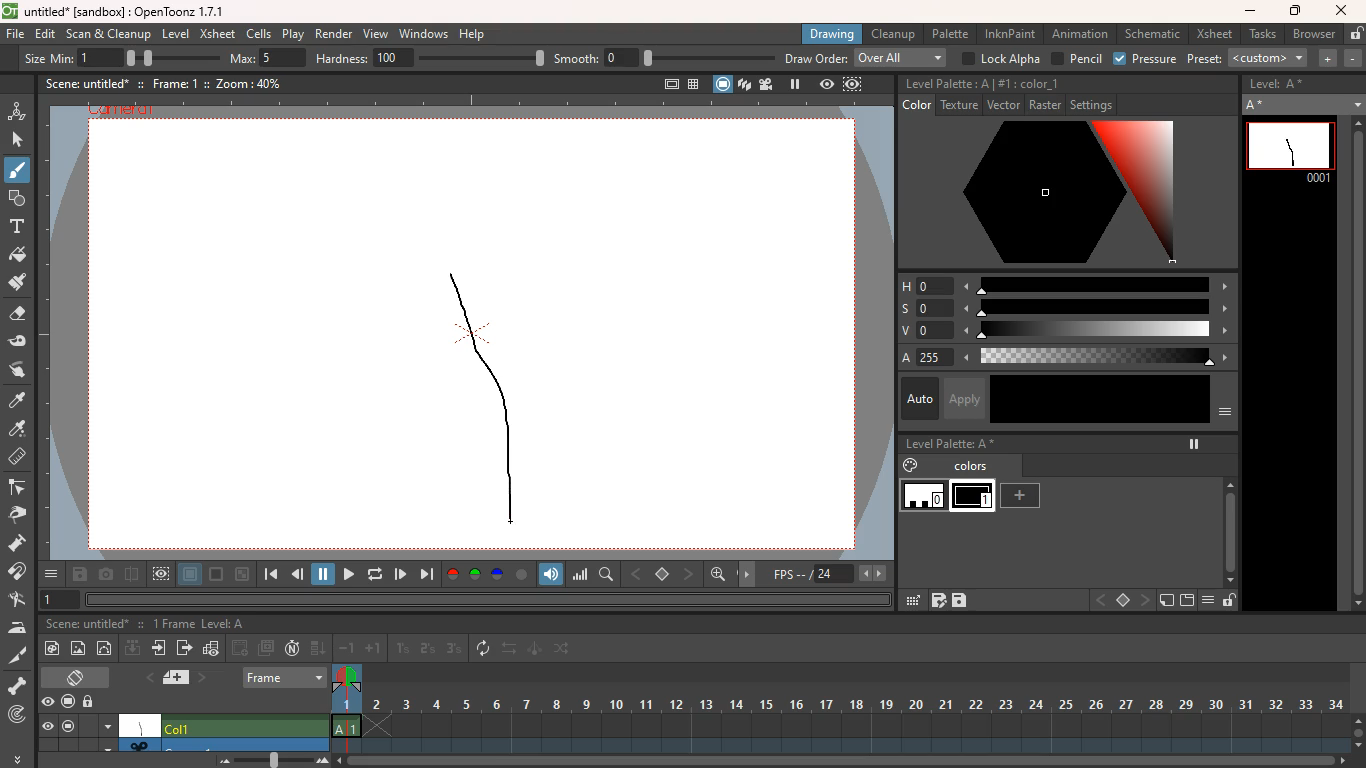 The width and height of the screenshot is (1366, 768). What do you see at coordinates (426, 575) in the screenshot?
I see `forward` at bounding box center [426, 575].